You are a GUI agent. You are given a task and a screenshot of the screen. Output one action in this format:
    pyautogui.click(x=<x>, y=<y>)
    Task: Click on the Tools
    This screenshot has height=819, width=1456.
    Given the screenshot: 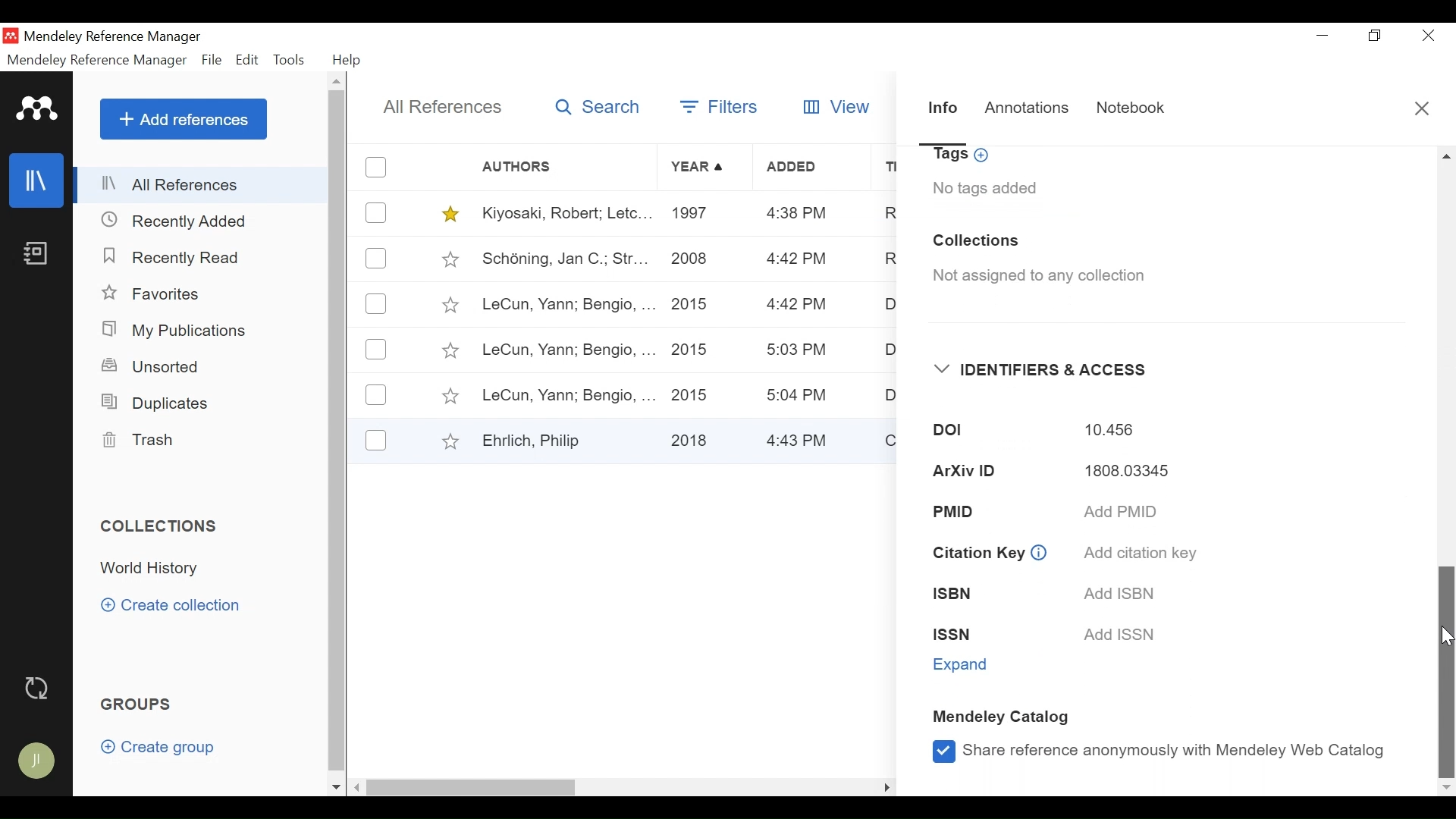 What is the action you would take?
    pyautogui.click(x=290, y=61)
    